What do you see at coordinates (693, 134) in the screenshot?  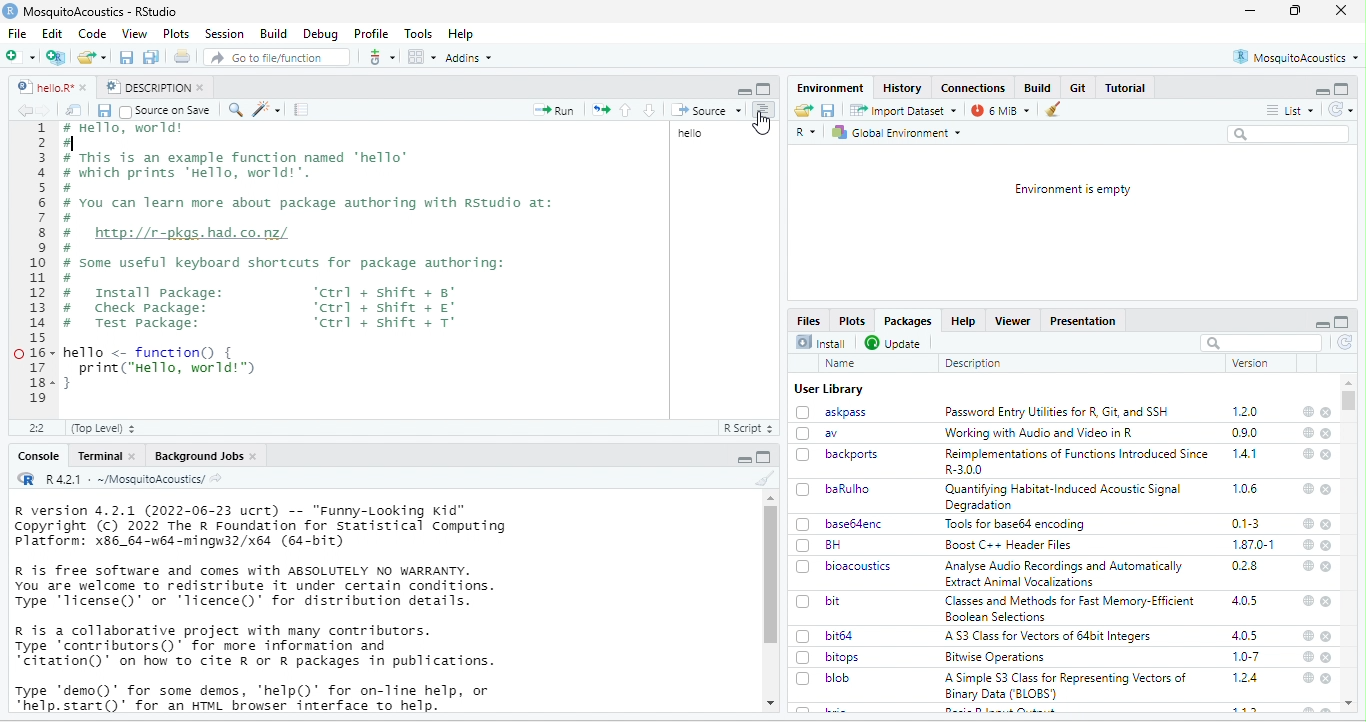 I see `hello` at bounding box center [693, 134].